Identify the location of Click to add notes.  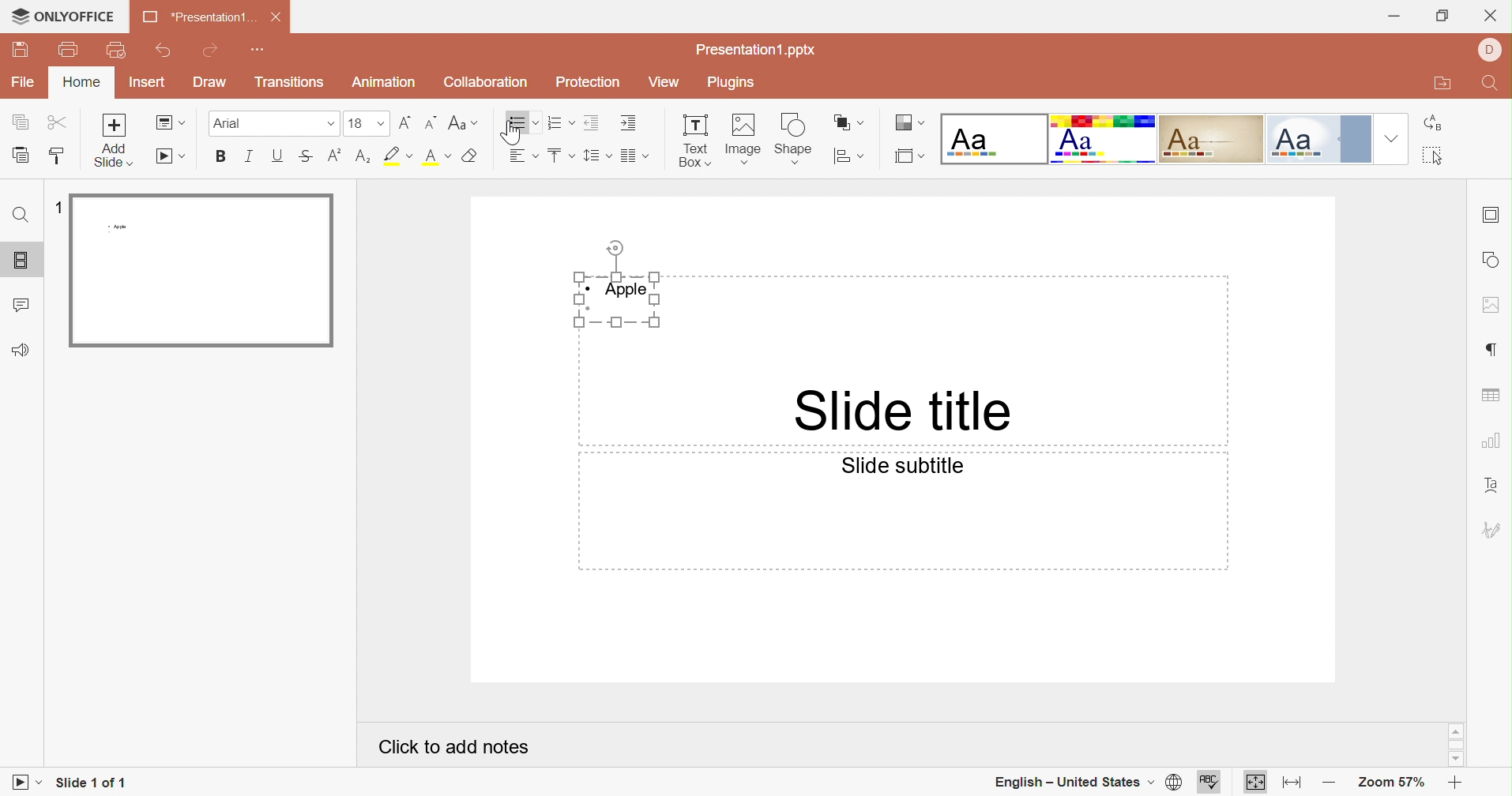
(454, 744).